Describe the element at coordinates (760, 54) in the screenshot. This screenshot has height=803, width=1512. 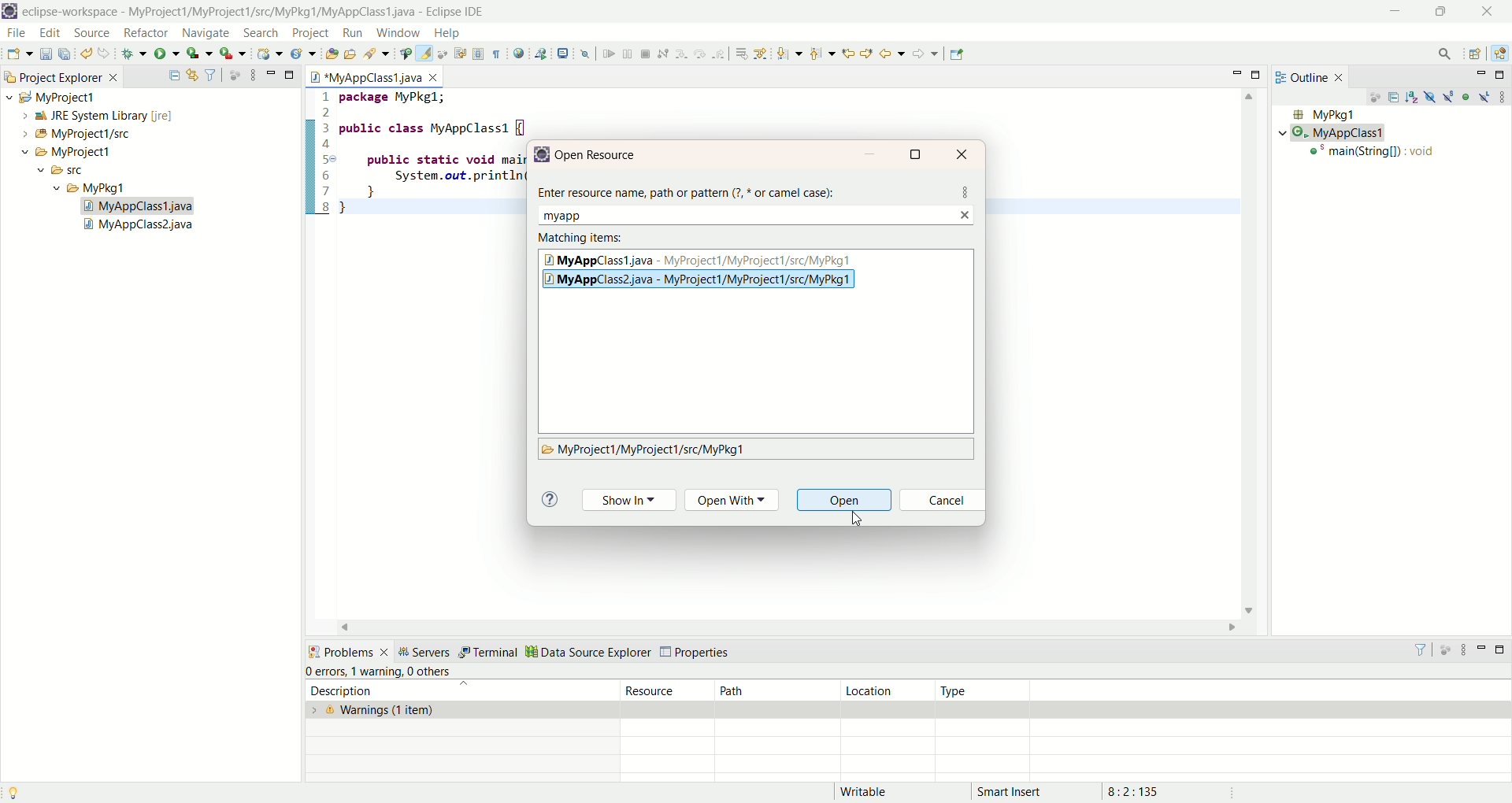
I see `use step filters` at that location.